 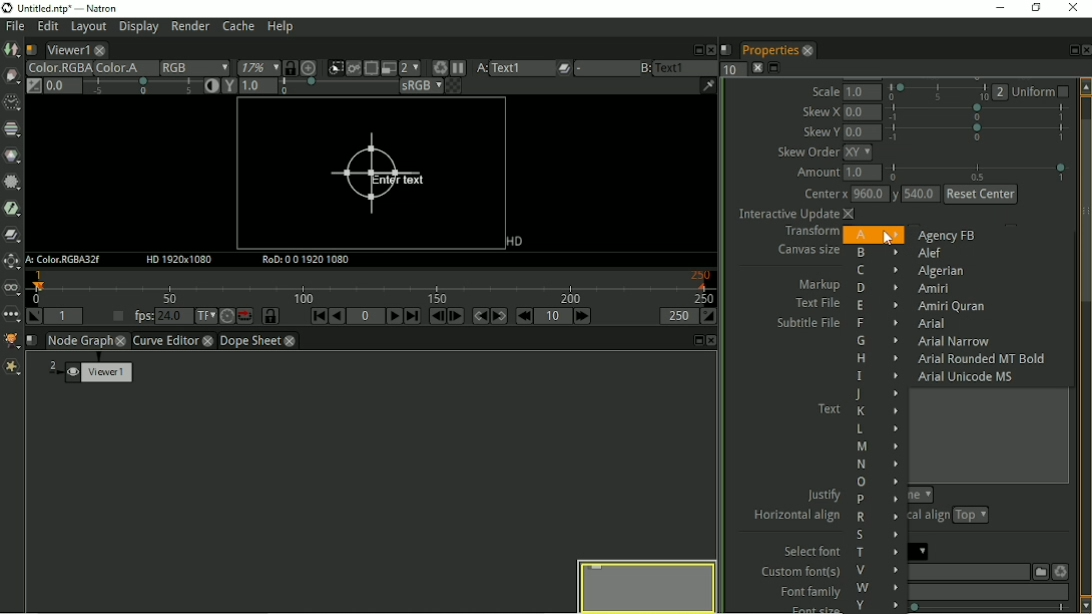 What do you see at coordinates (356, 66) in the screenshot?
I see `Render the image` at bounding box center [356, 66].